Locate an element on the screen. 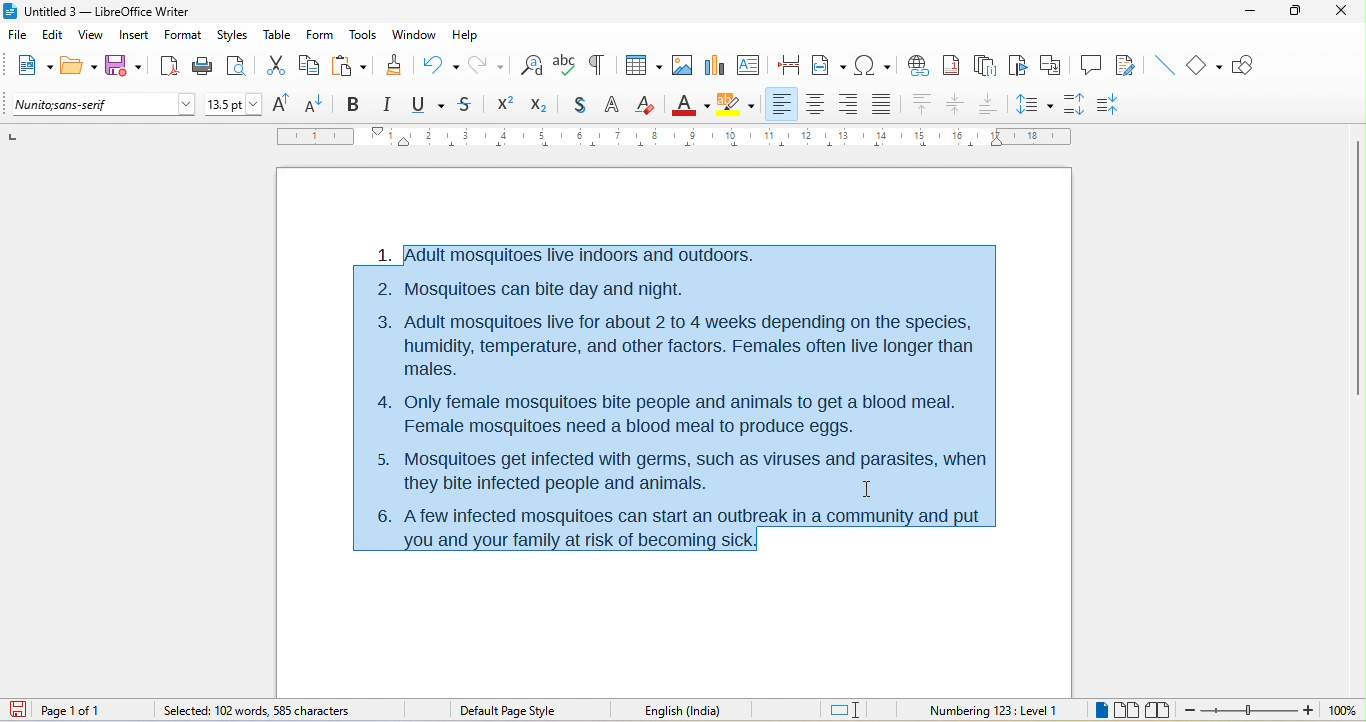 This screenshot has height=722, width=1366. minimize is located at coordinates (1256, 17).